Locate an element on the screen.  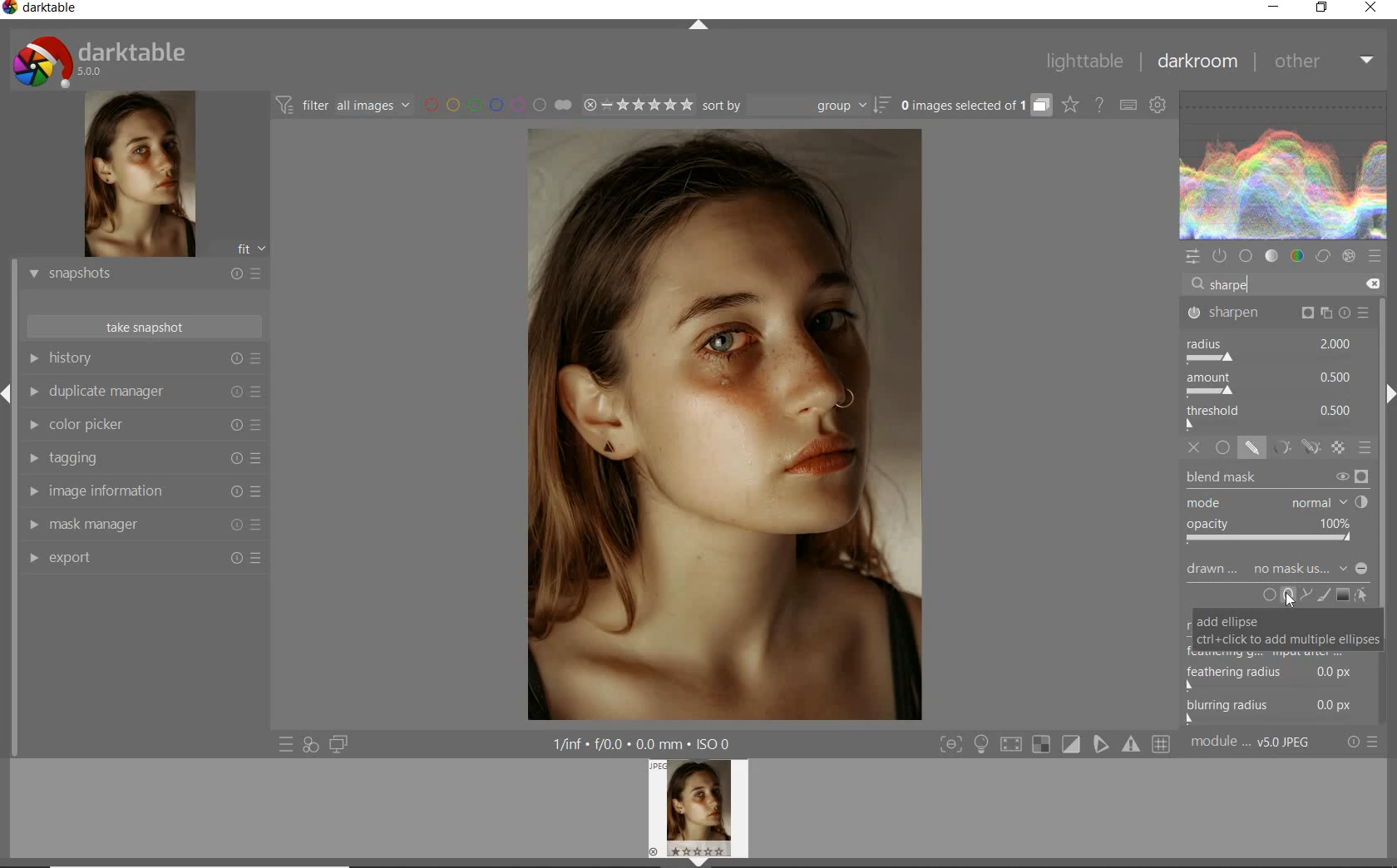
ADD ELLIPSE is located at coordinates (1286, 629).